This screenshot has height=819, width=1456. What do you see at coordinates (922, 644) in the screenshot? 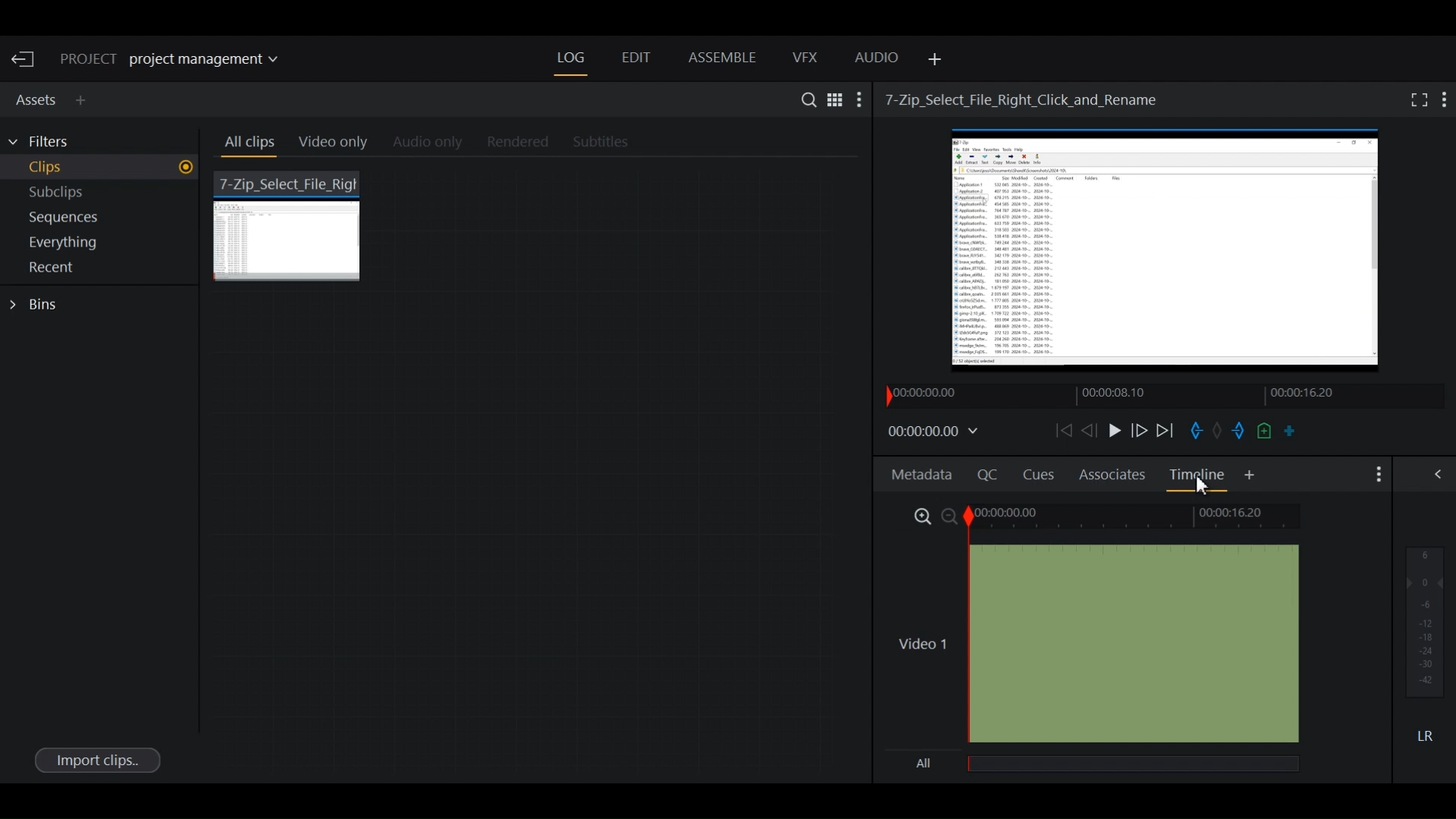
I see `Video` at bounding box center [922, 644].